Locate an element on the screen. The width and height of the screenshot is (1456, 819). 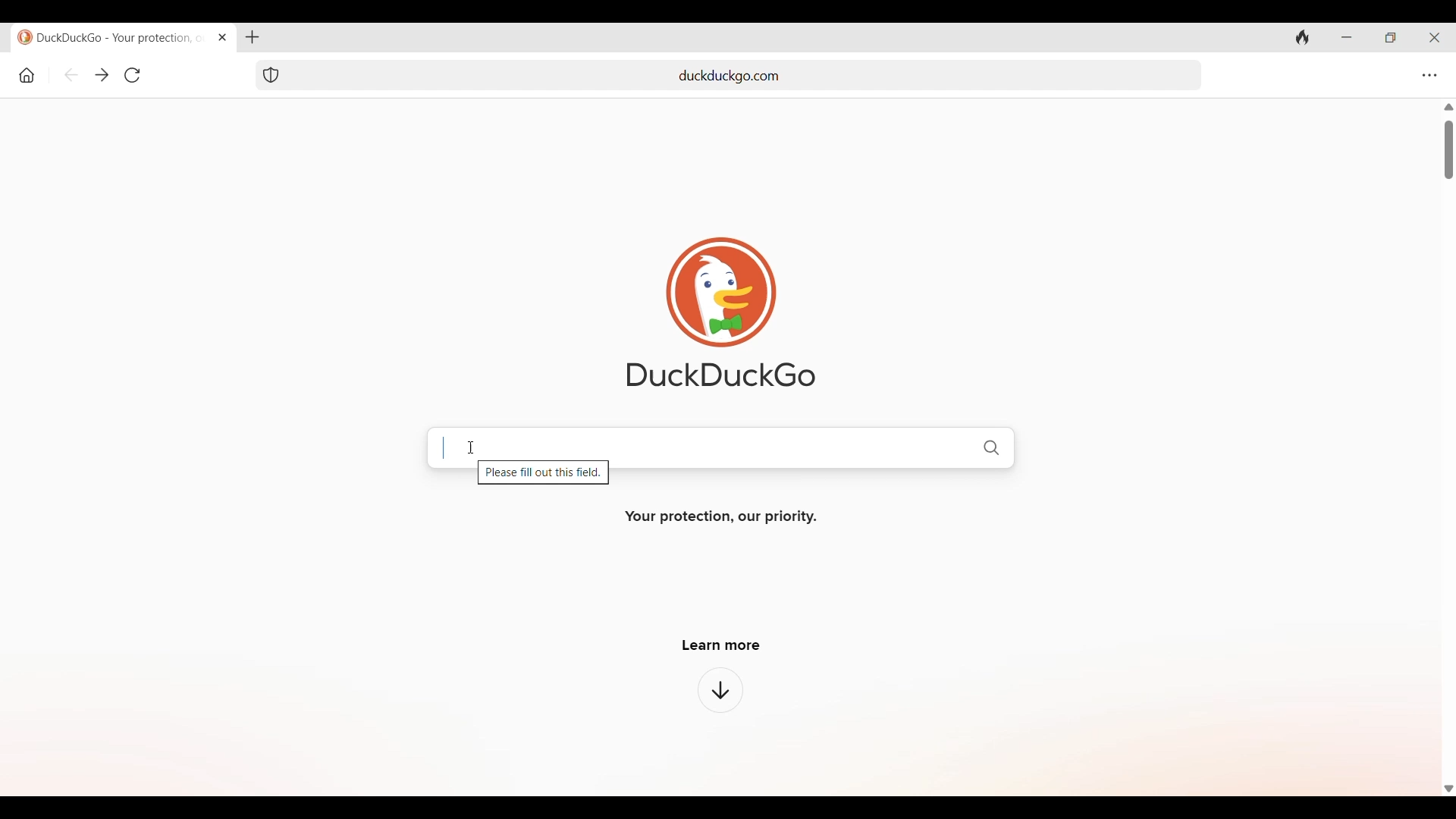
Close tab is located at coordinates (221, 36).